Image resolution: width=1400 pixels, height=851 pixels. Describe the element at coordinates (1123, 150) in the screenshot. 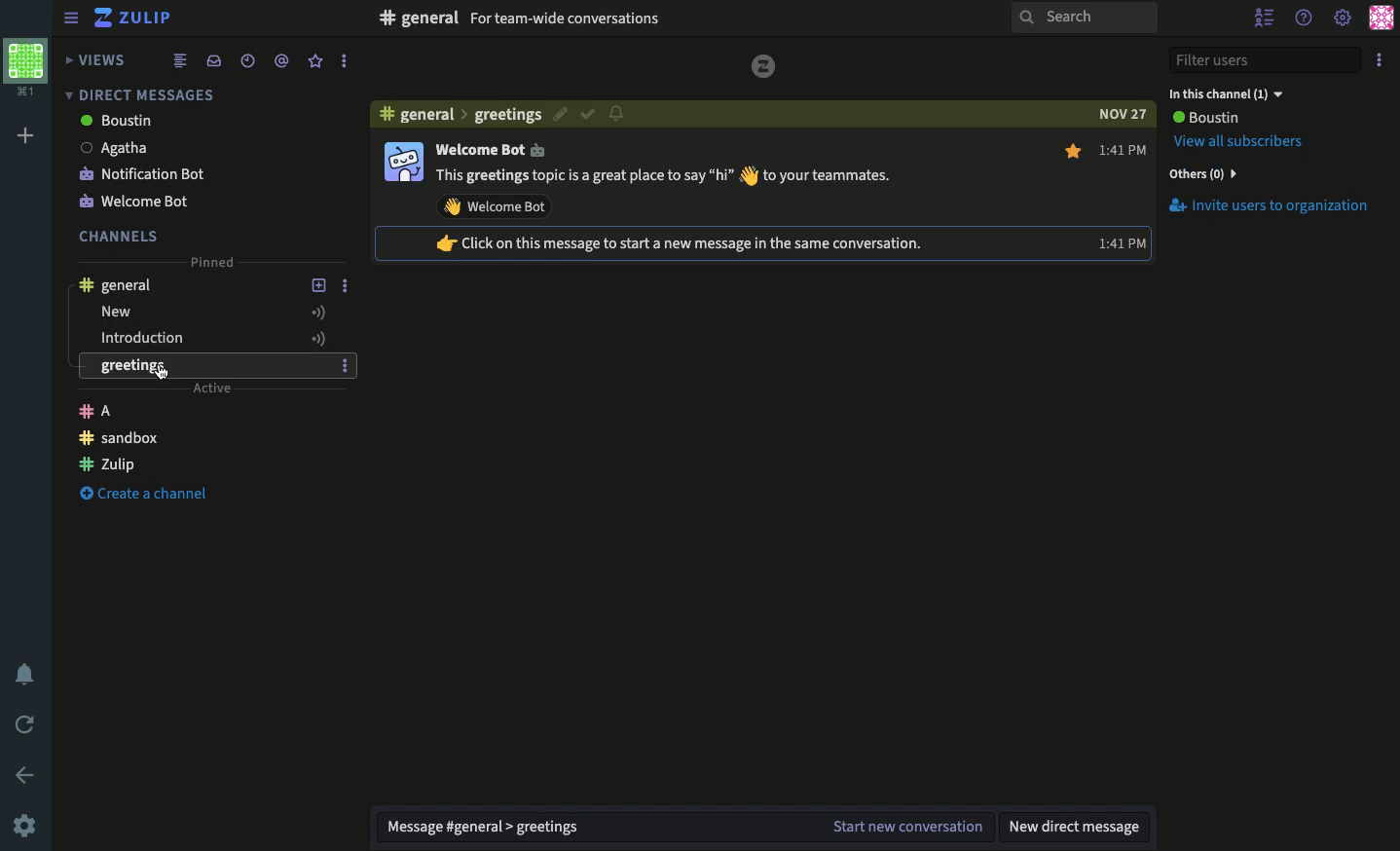

I see `time` at that location.